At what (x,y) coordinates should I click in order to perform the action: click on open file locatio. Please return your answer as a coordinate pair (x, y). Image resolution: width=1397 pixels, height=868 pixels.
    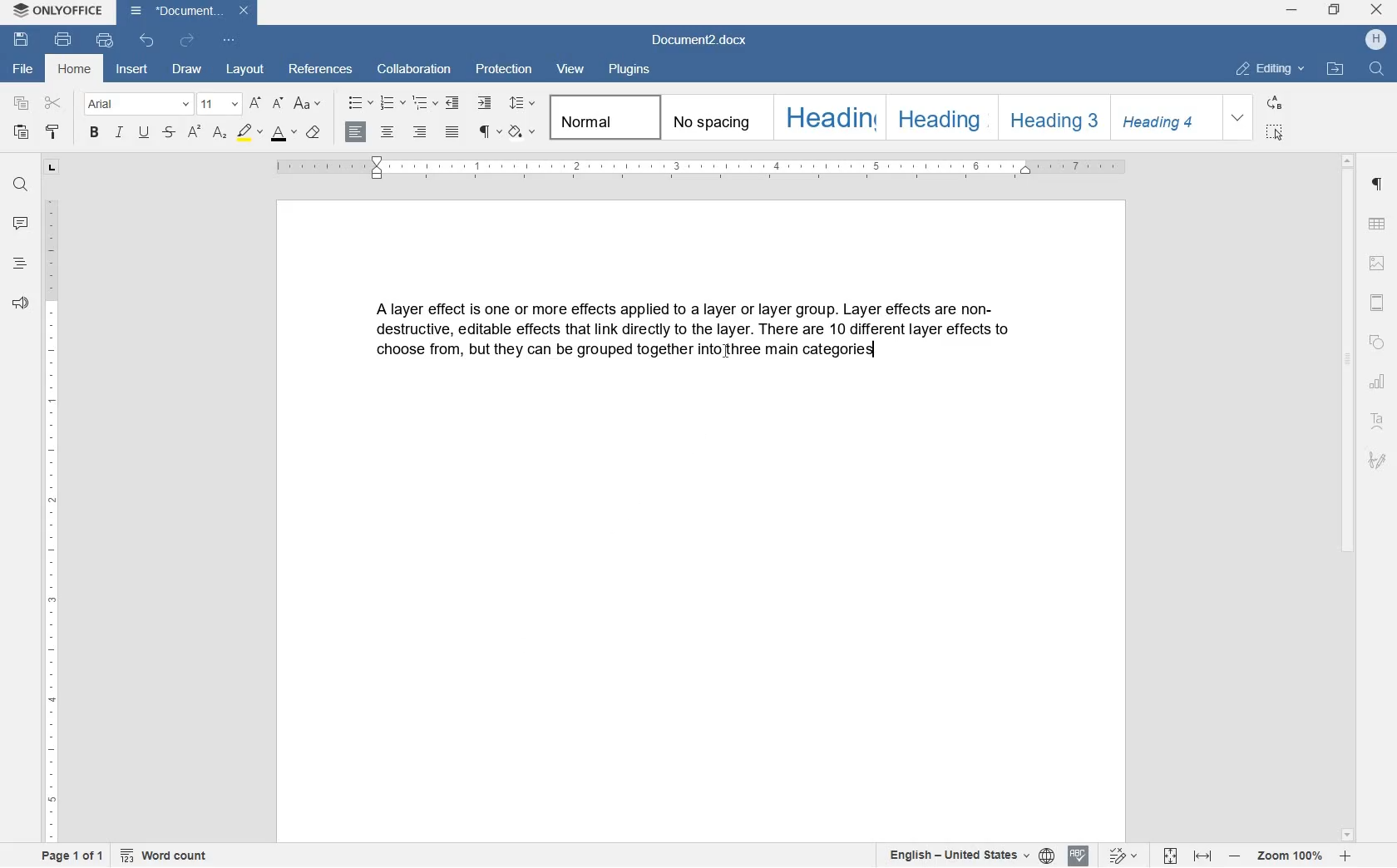
    Looking at the image, I should click on (1335, 69).